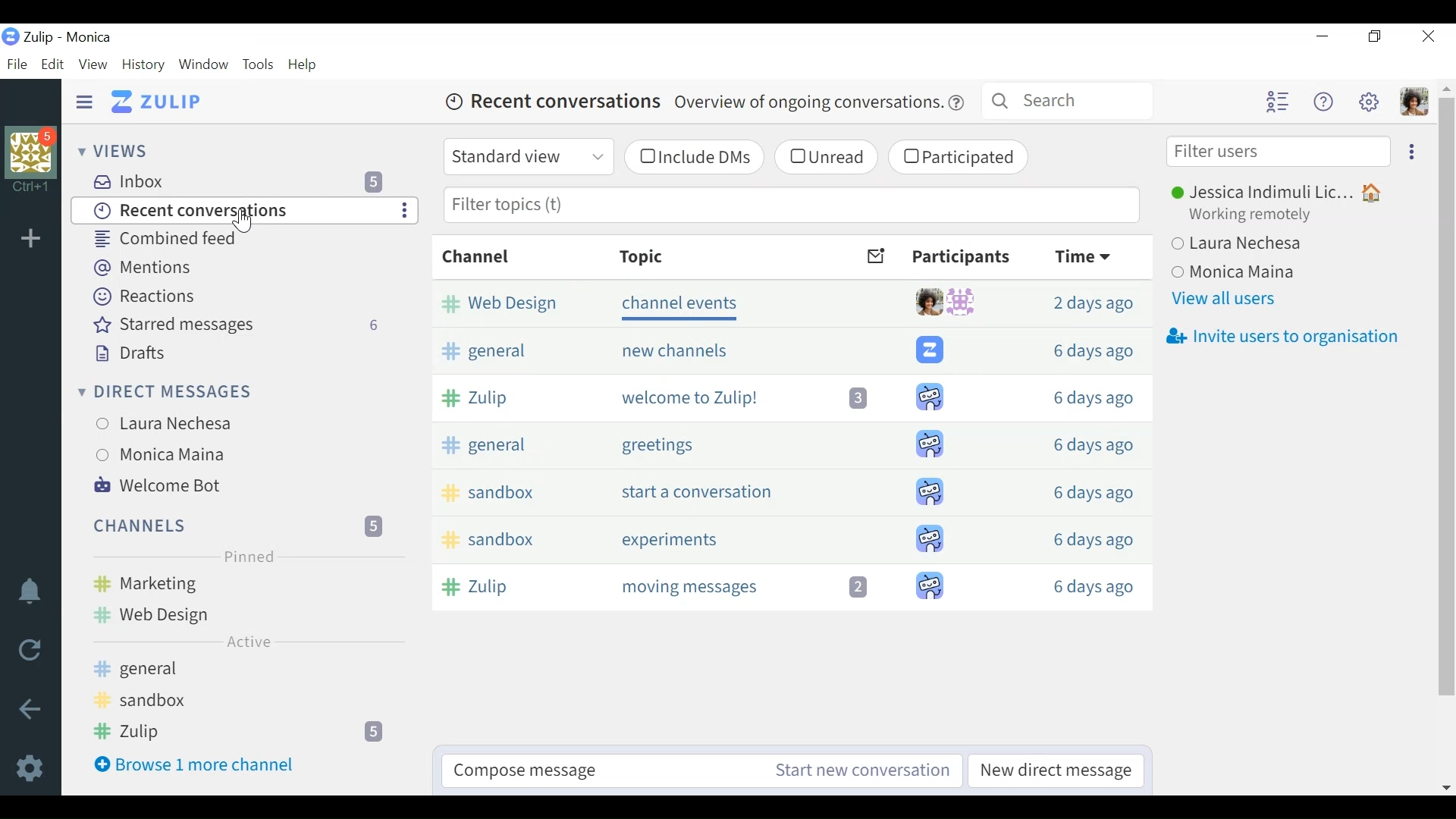 Image resolution: width=1456 pixels, height=819 pixels. What do you see at coordinates (1322, 37) in the screenshot?
I see `minimize` at bounding box center [1322, 37].